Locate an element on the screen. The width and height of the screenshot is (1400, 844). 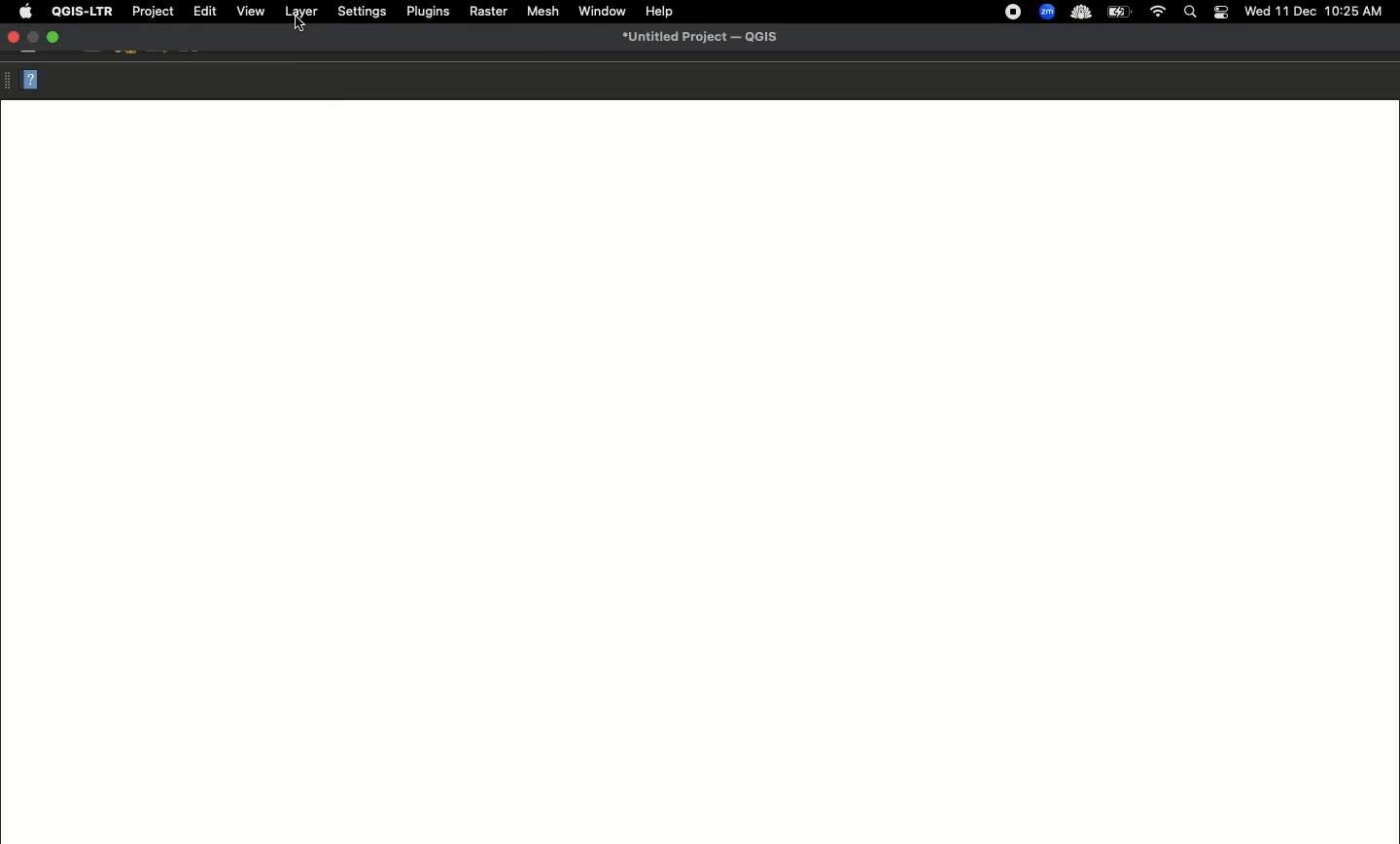
Apple is located at coordinates (22, 13).